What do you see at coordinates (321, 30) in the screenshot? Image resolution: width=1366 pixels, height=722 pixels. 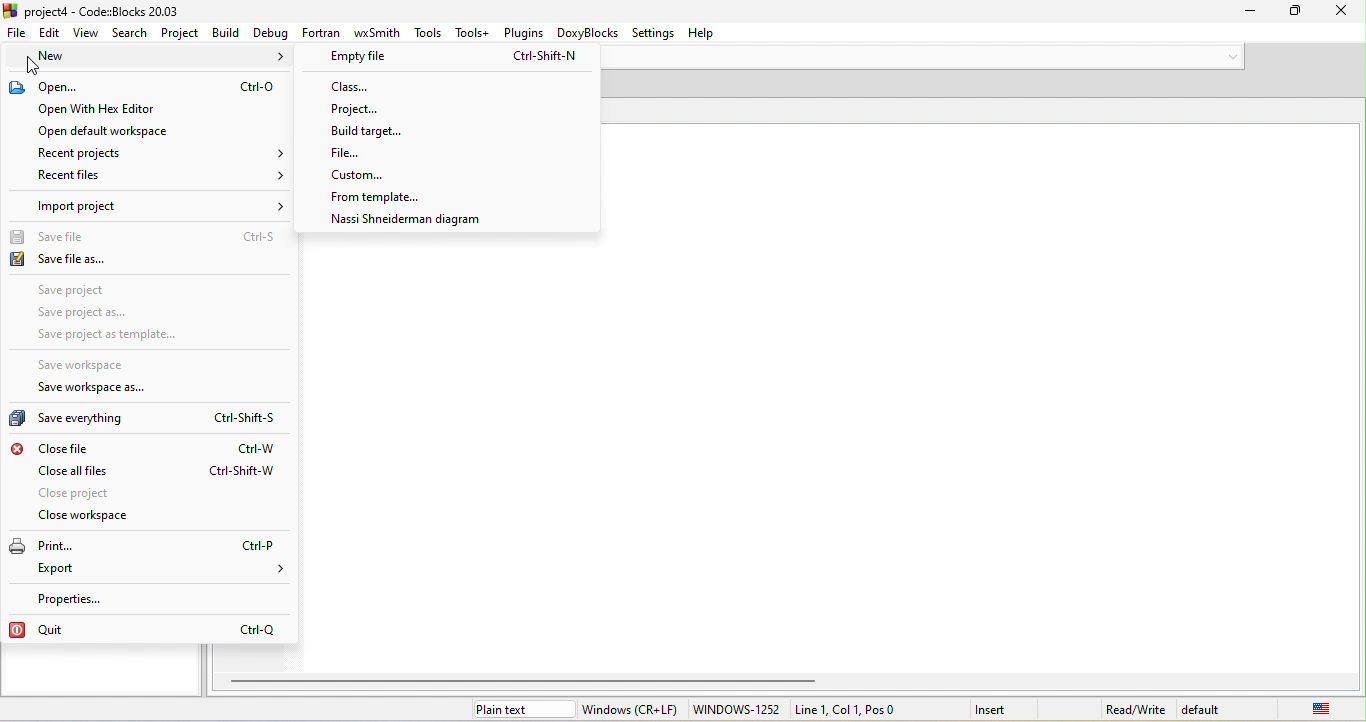 I see `fortran` at bounding box center [321, 30].